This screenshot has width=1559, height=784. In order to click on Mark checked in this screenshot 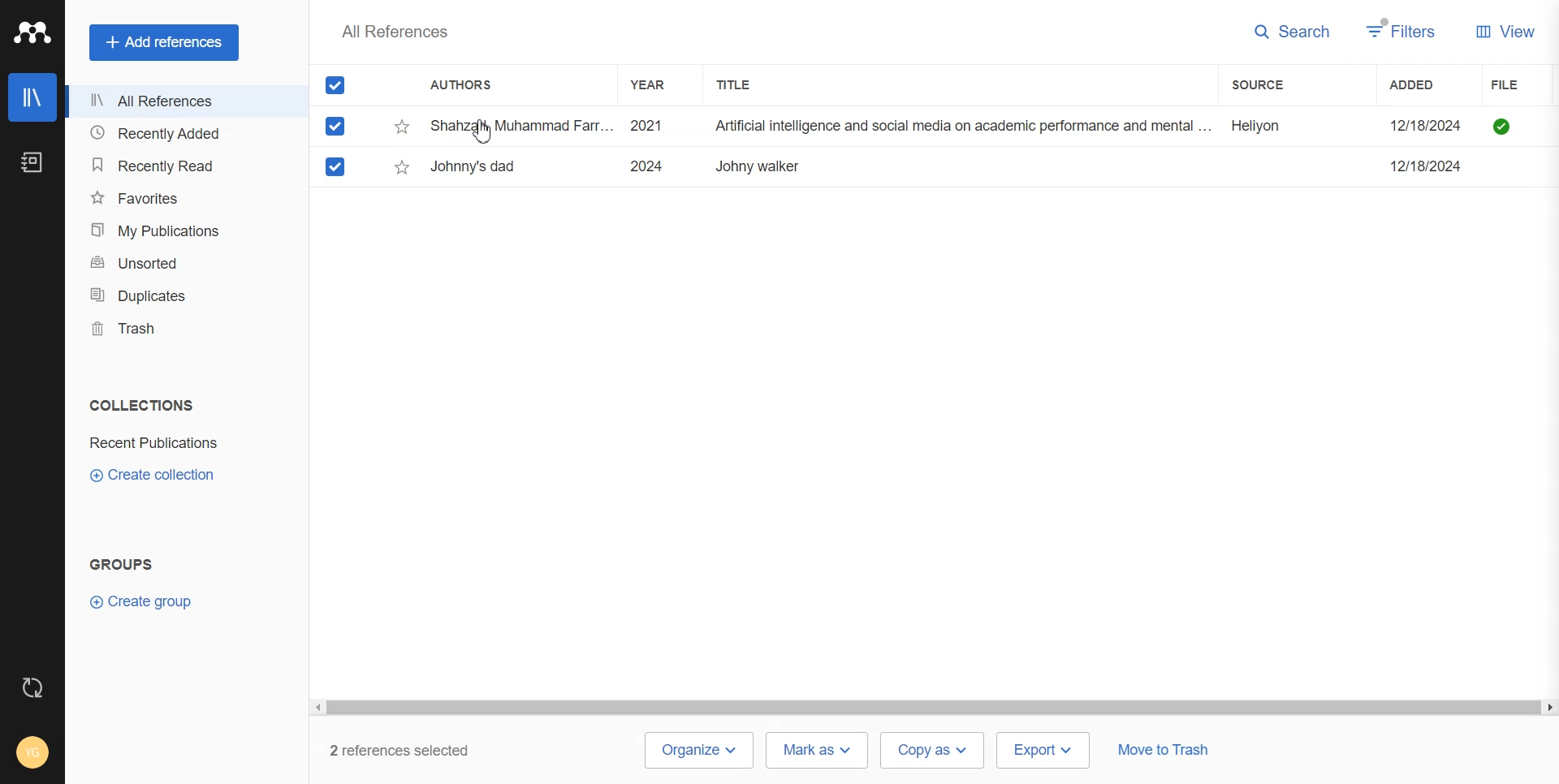, I will do `click(337, 166)`.